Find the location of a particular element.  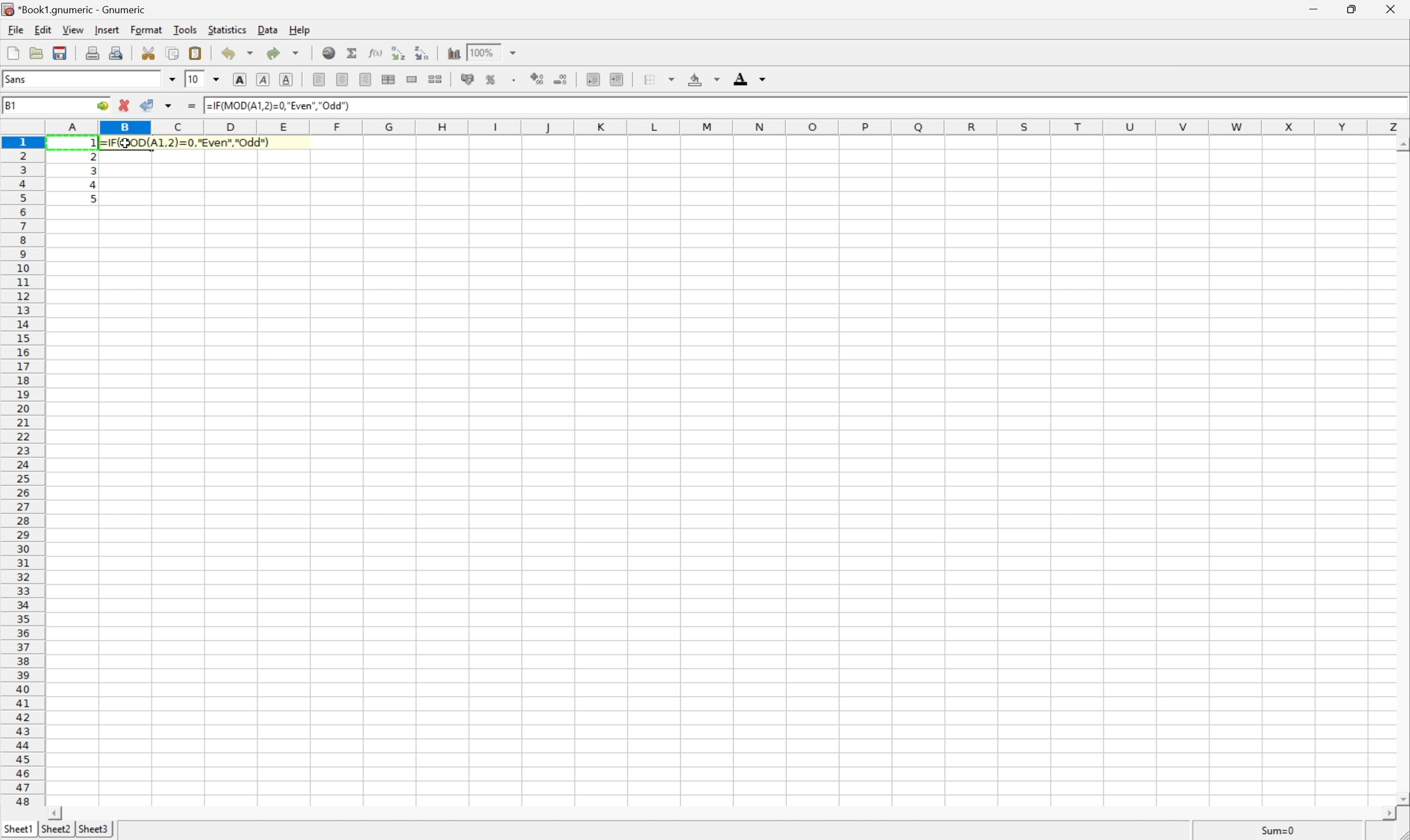

Data is located at coordinates (269, 29).